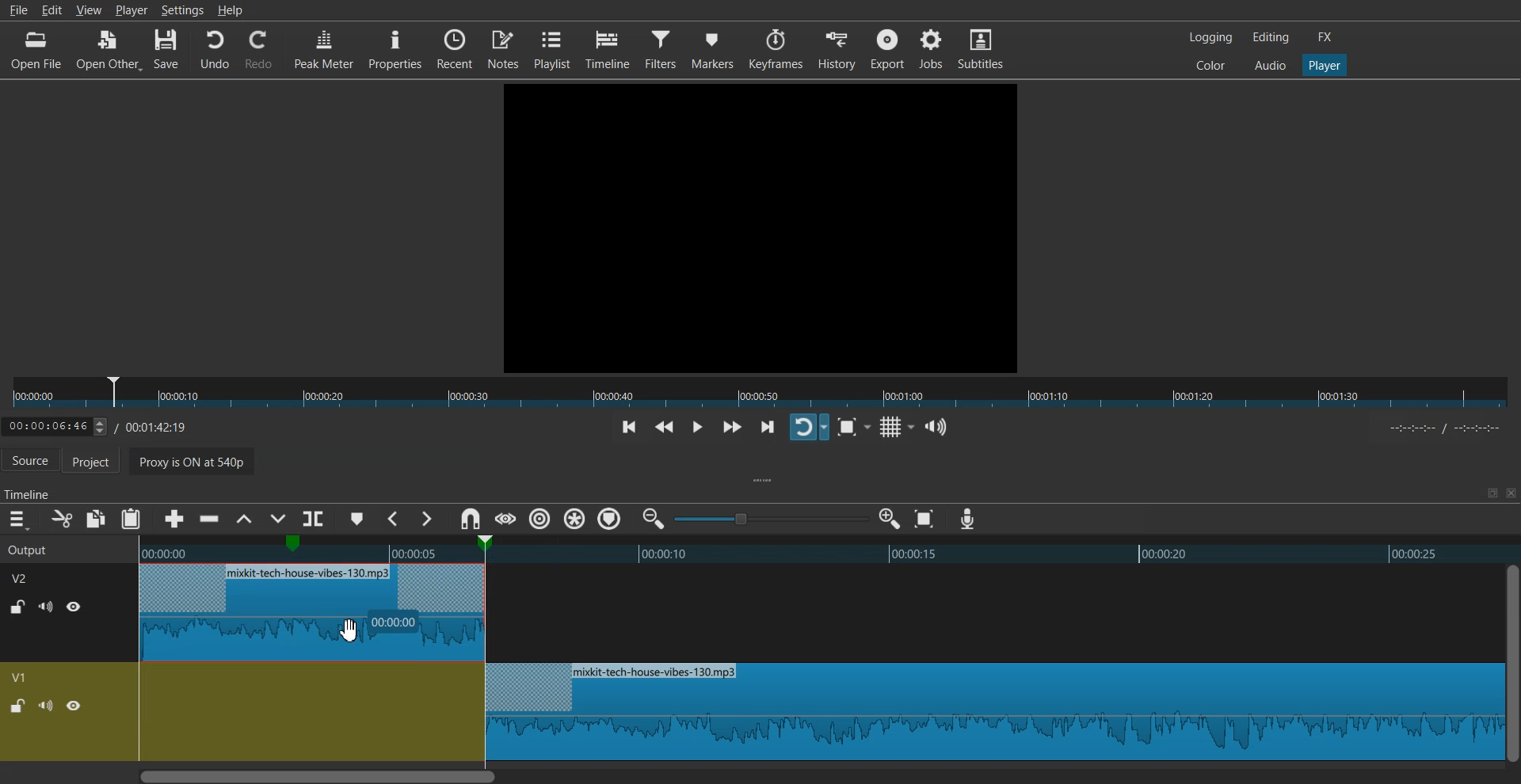  What do you see at coordinates (175, 519) in the screenshot?
I see `Append ` at bounding box center [175, 519].